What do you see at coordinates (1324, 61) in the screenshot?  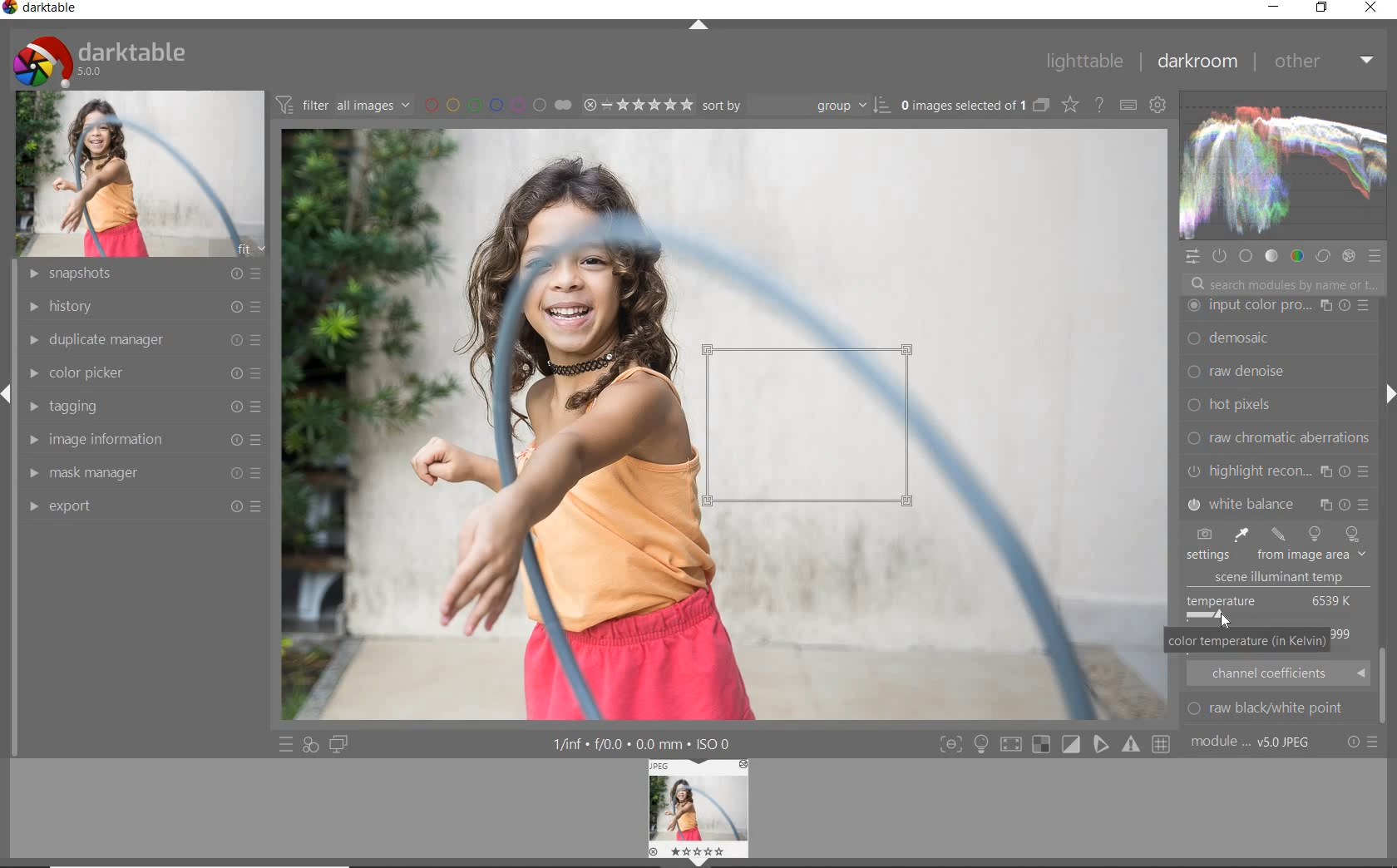 I see `other` at bounding box center [1324, 61].